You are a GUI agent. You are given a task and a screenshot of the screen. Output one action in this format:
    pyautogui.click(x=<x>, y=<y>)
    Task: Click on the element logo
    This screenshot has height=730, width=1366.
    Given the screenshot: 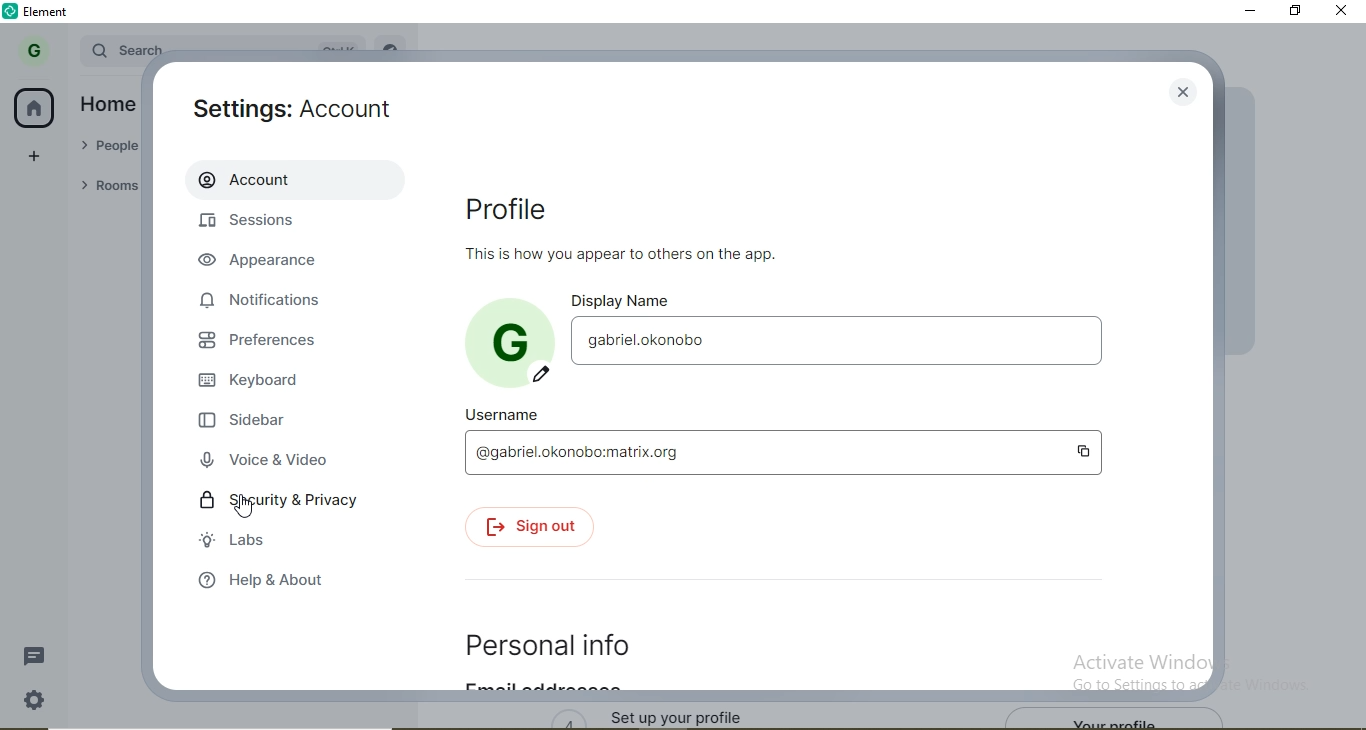 What is the action you would take?
    pyautogui.click(x=13, y=11)
    